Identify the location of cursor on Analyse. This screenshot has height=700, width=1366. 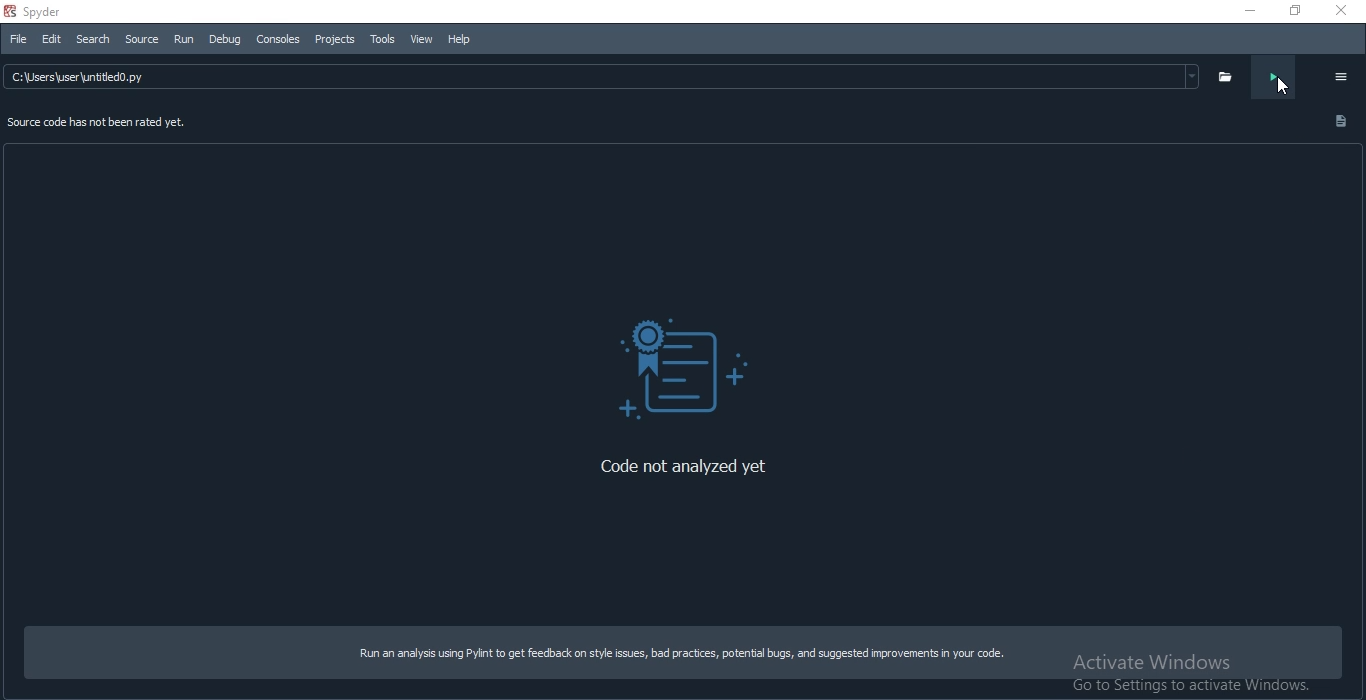
(1289, 88).